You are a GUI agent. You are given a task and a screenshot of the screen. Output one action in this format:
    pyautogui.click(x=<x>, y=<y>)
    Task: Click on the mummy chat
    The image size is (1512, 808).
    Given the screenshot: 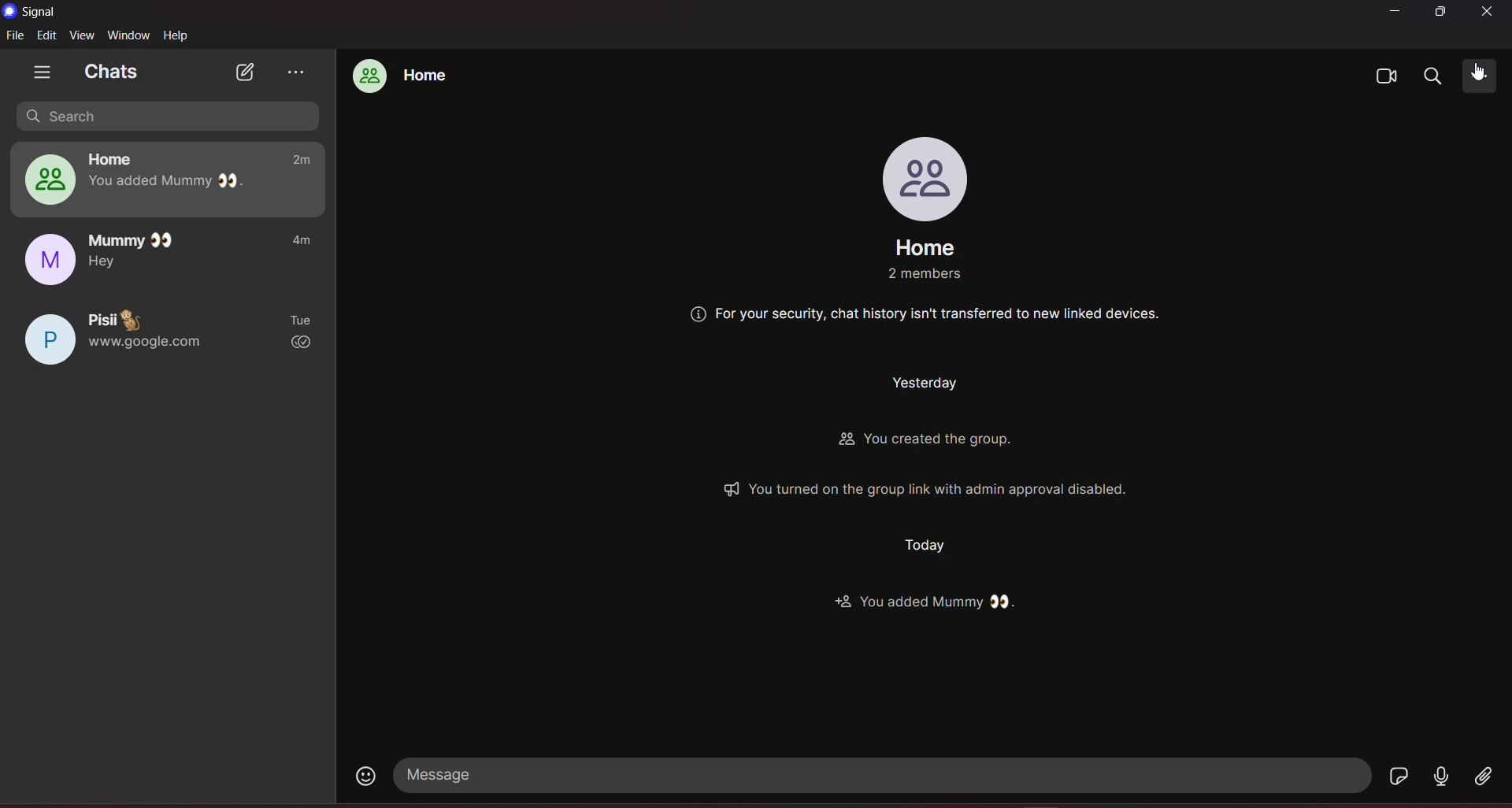 What is the action you would take?
    pyautogui.click(x=170, y=254)
    